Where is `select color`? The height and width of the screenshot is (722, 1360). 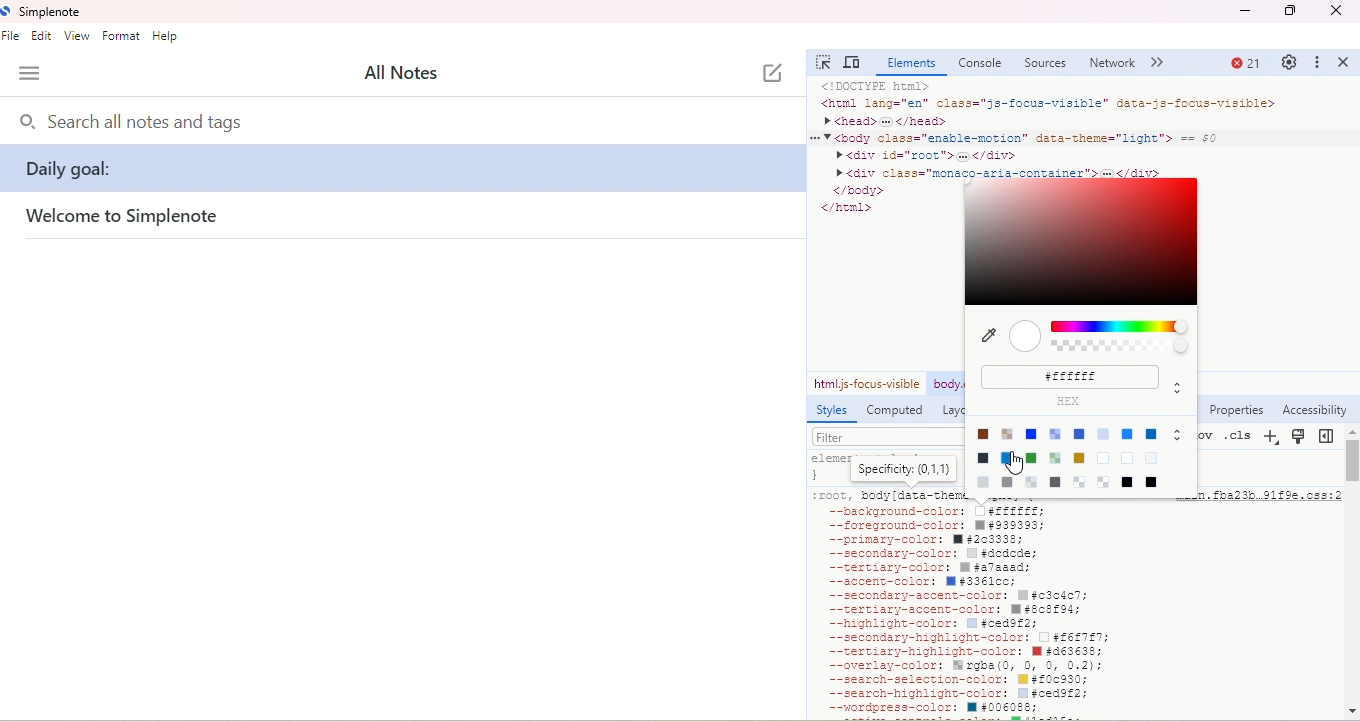
select color is located at coordinates (1080, 241).